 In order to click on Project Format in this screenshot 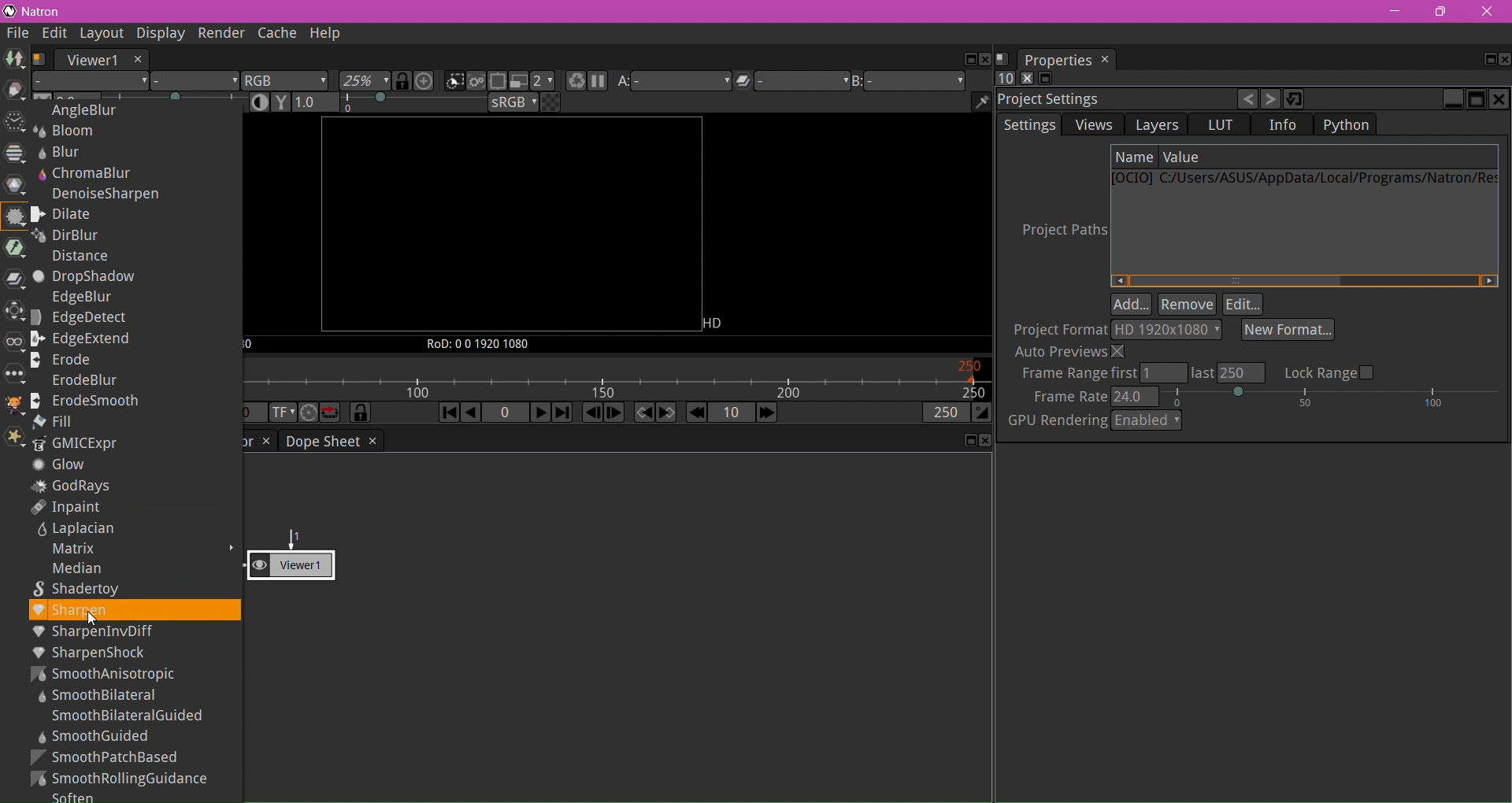, I will do `click(1058, 329)`.